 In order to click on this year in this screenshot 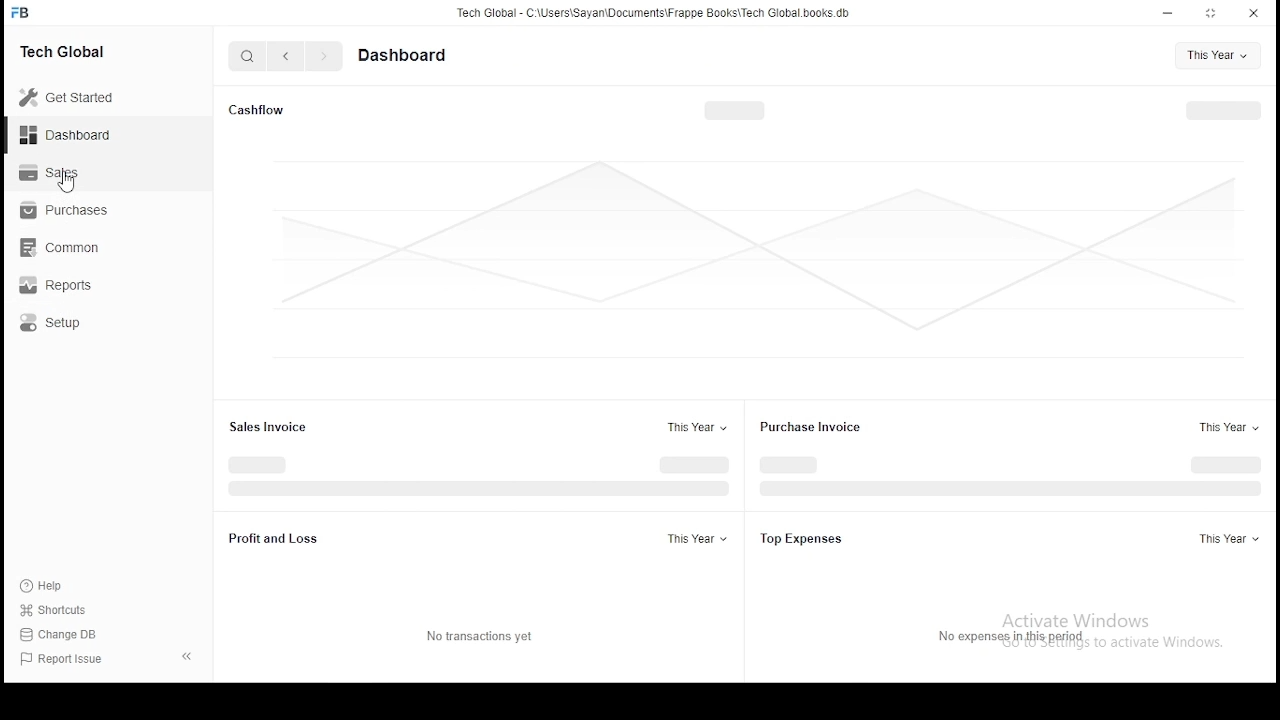, I will do `click(695, 427)`.